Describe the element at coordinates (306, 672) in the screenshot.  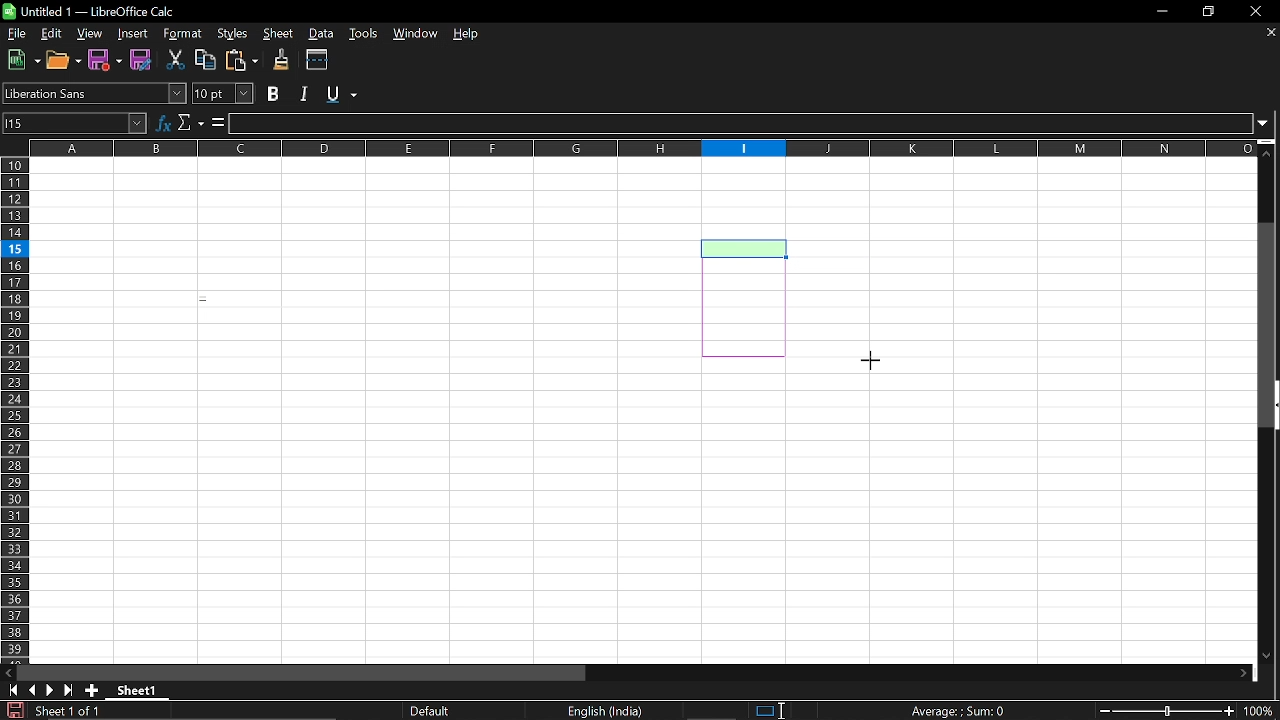
I see `Horizontal scrollbar` at that location.